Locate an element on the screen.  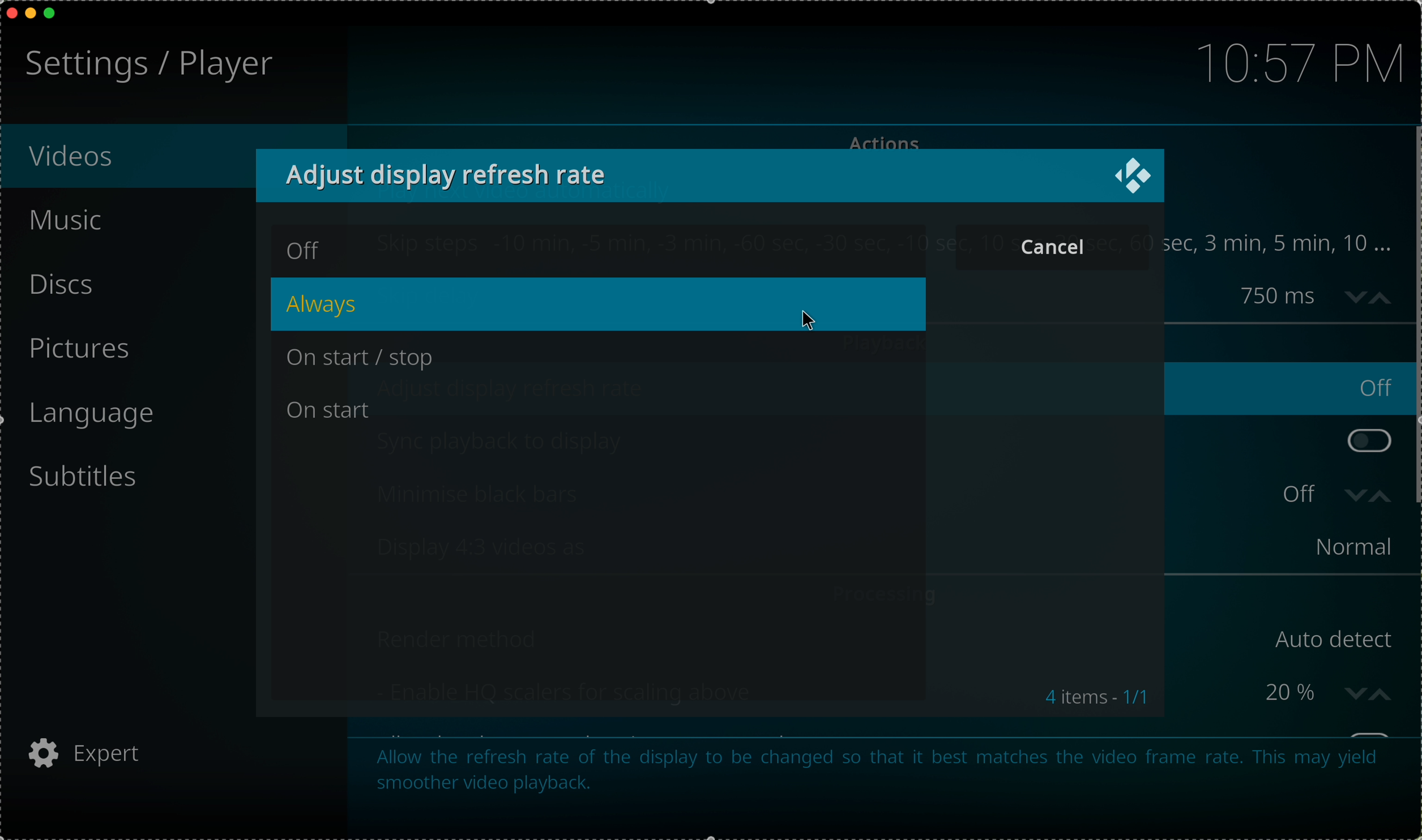
Scroll bar is located at coordinates (1413, 319).